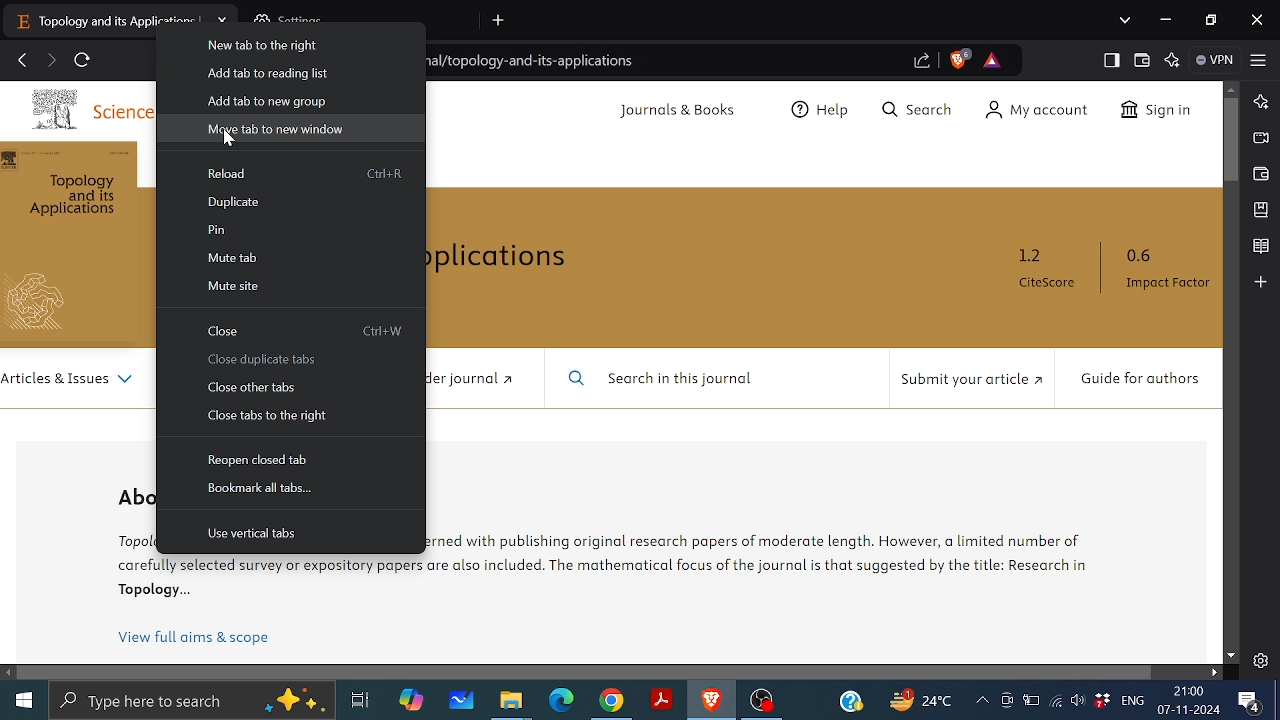  What do you see at coordinates (612, 703) in the screenshot?
I see `Chorme` at bounding box center [612, 703].